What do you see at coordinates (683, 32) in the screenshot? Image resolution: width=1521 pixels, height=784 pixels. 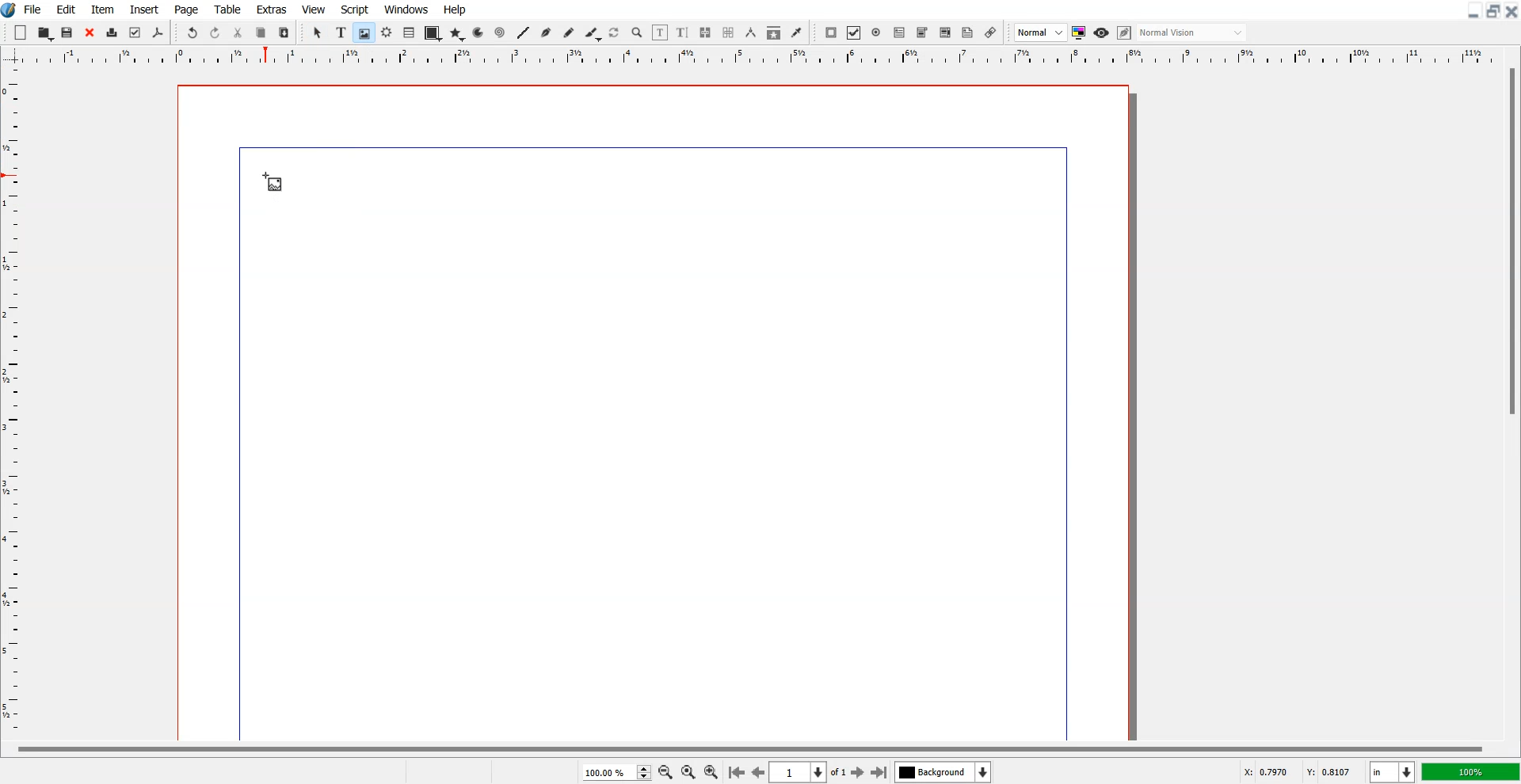 I see `Edit Text` at bounding box center [683, 32].